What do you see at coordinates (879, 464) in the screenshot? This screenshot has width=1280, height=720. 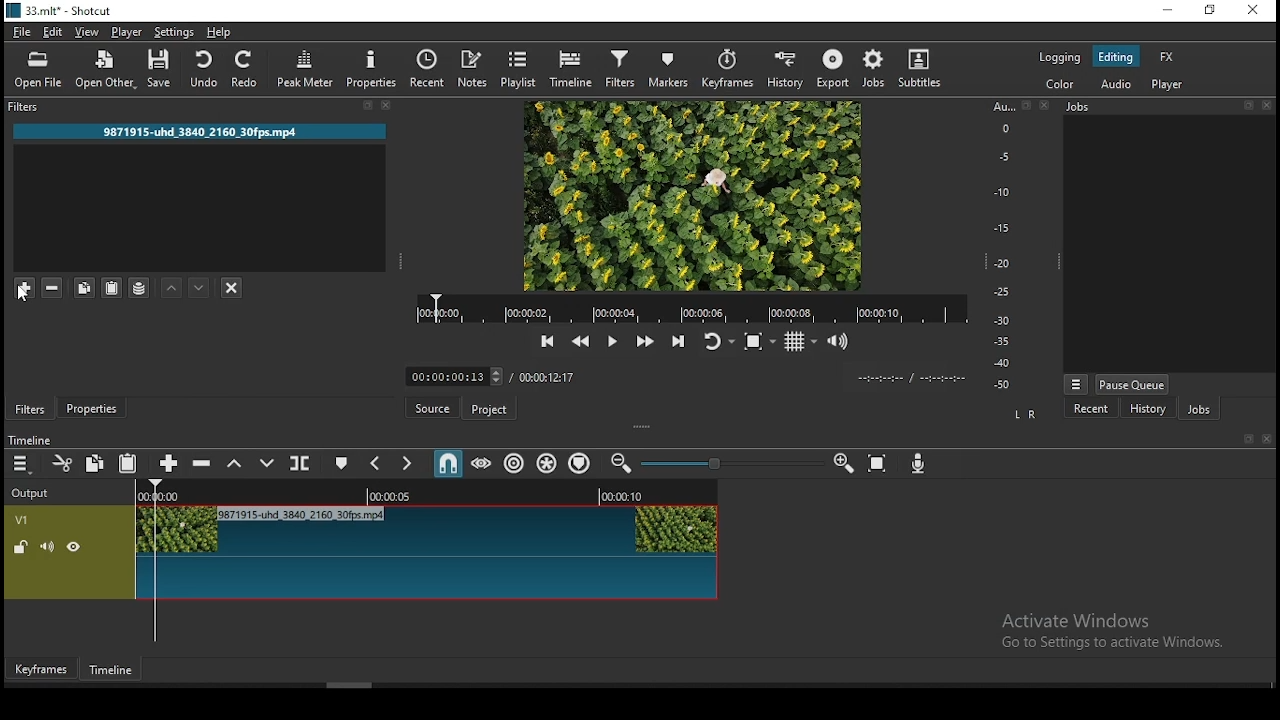 I see `zoom timeline to fit` at bounding box center [879, 464].